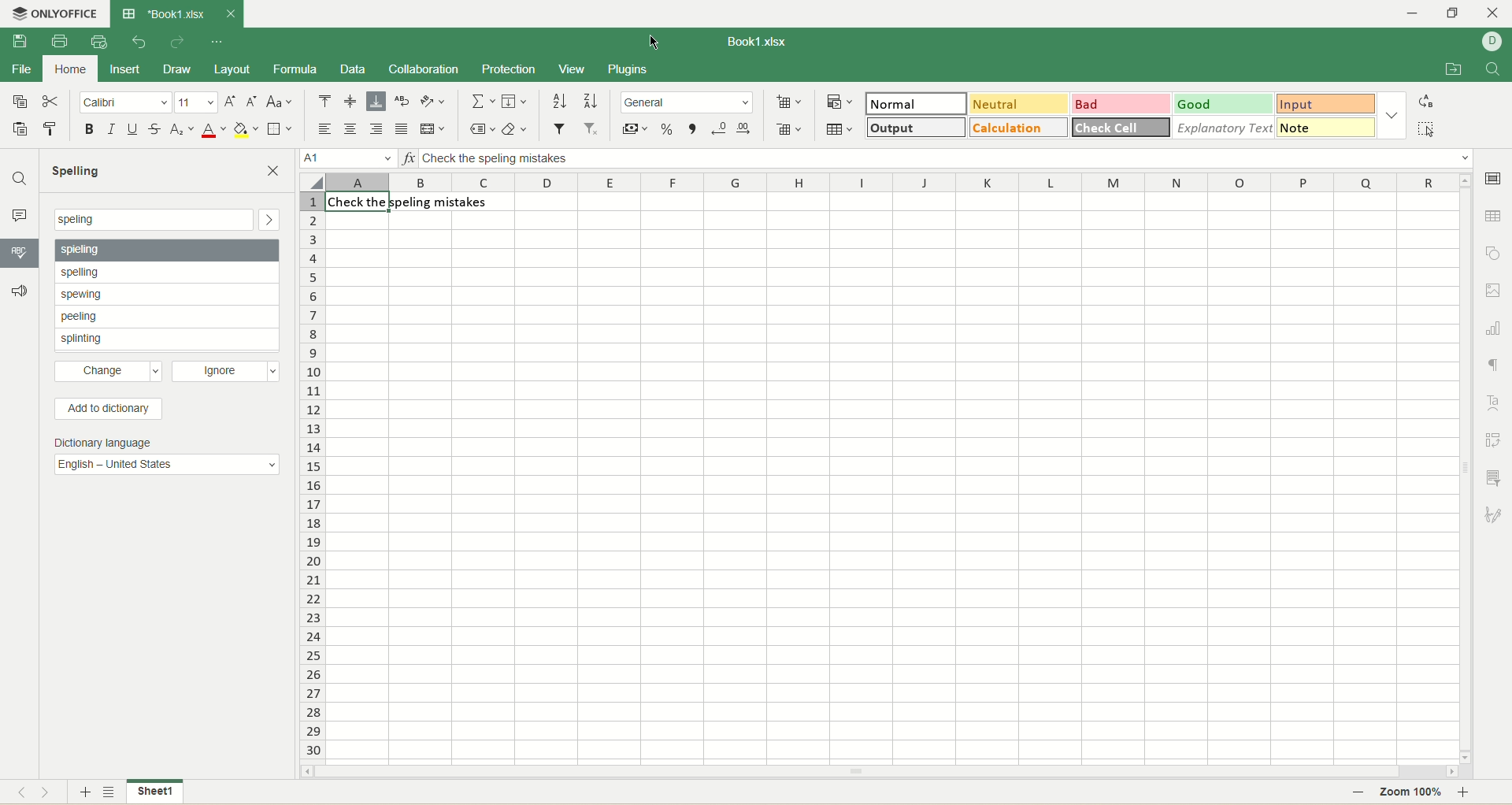 This screenshot has height=805, width=1512. What do you see at coordinates (295, 69) in the screenshot?
I see `formula` at bounding box center [295, 69].